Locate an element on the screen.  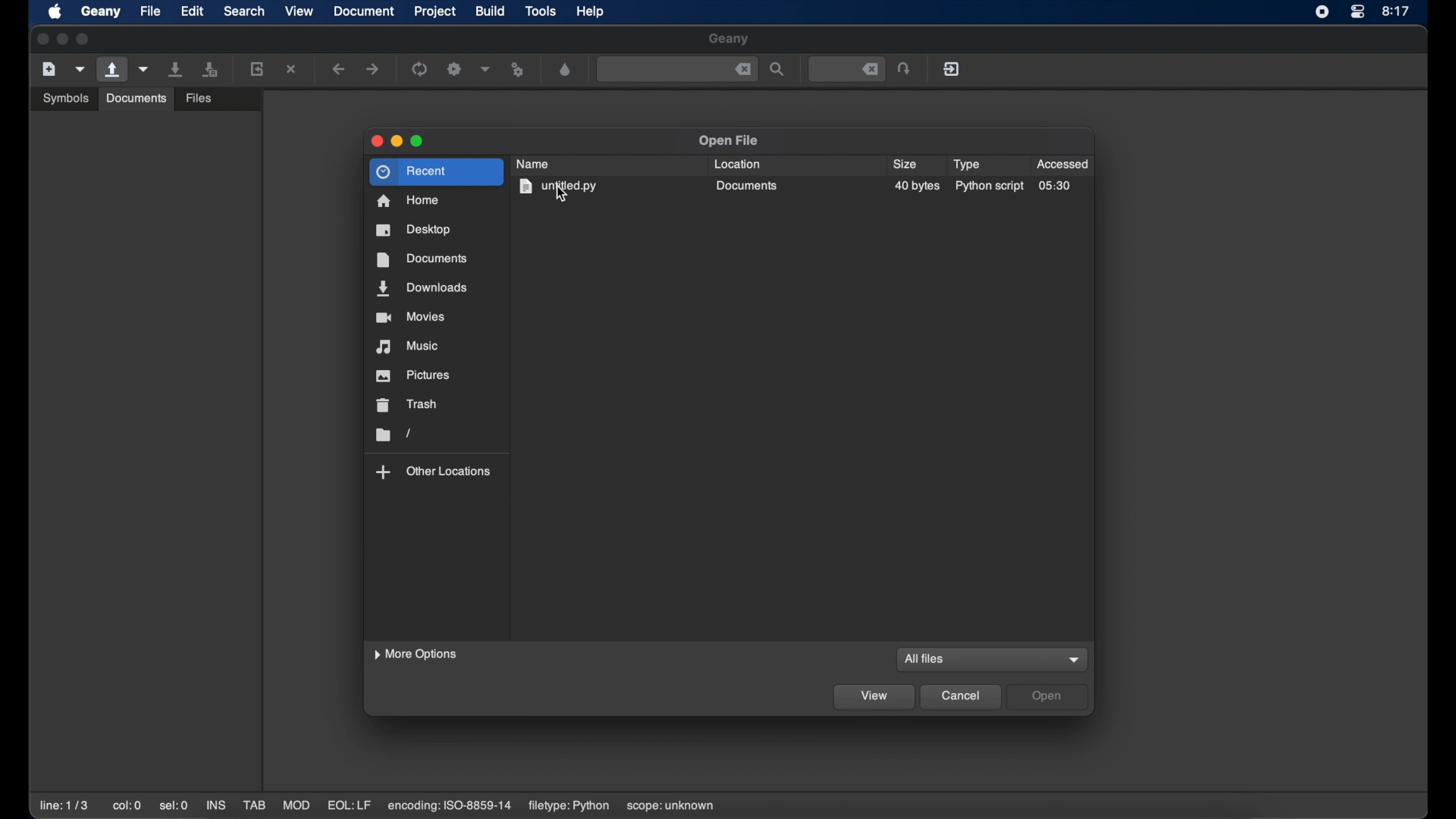
project is located at coordinates (435, 11).